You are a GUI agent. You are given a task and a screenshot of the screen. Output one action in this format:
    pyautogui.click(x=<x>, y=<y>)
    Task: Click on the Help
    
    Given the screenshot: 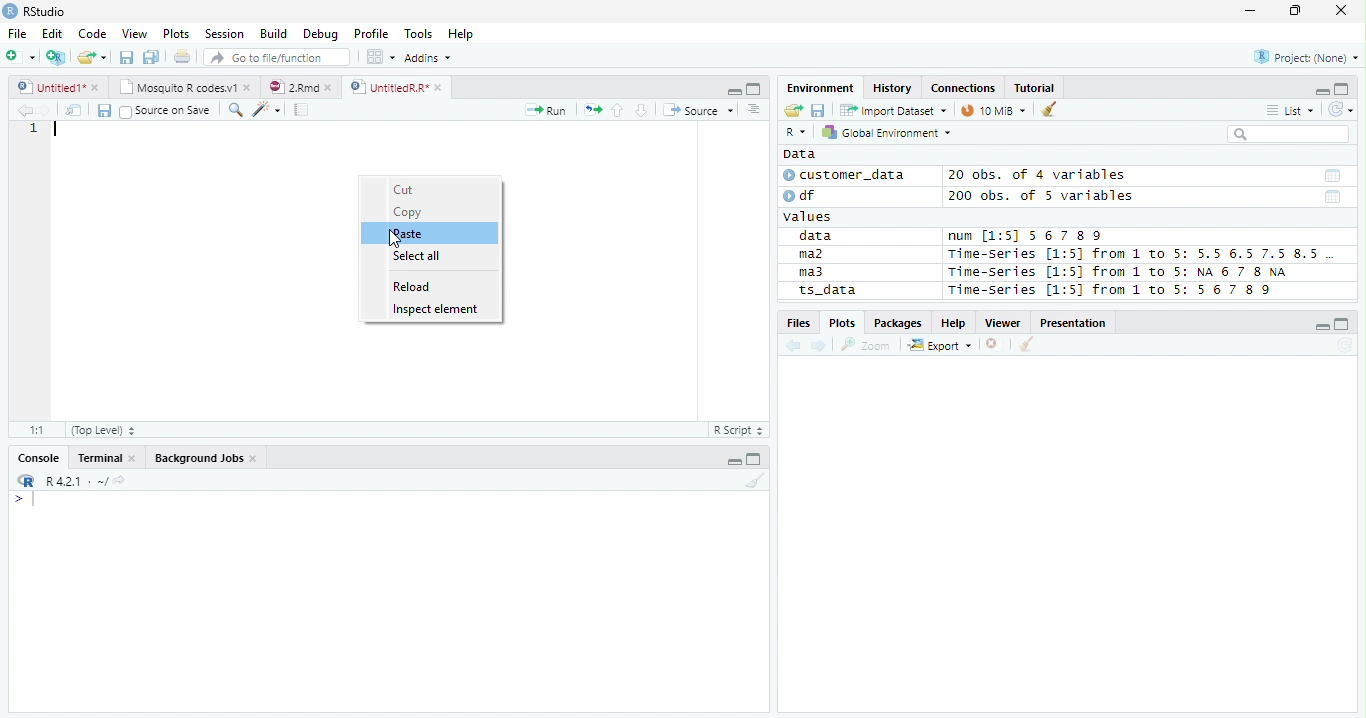 What is the action you would take?
    pyautogui.click(x=463, y=34)
    